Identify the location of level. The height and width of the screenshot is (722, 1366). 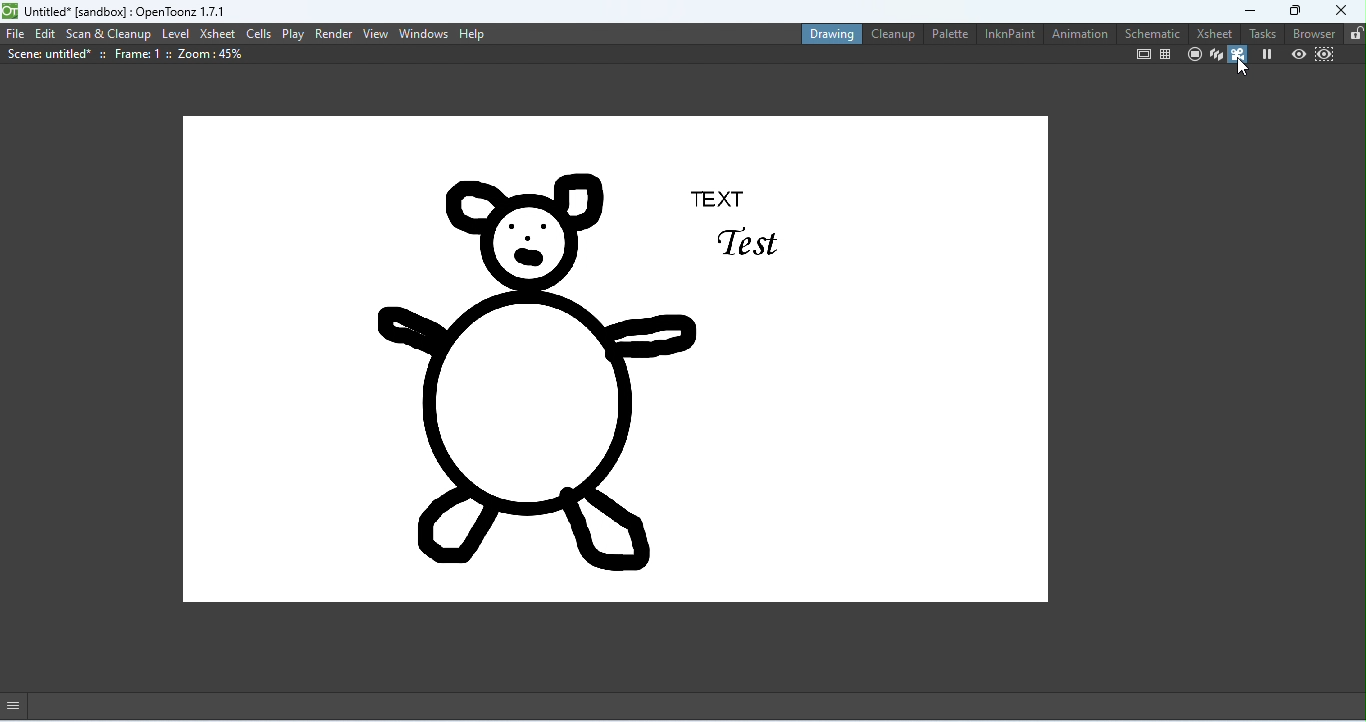
(176, 33).